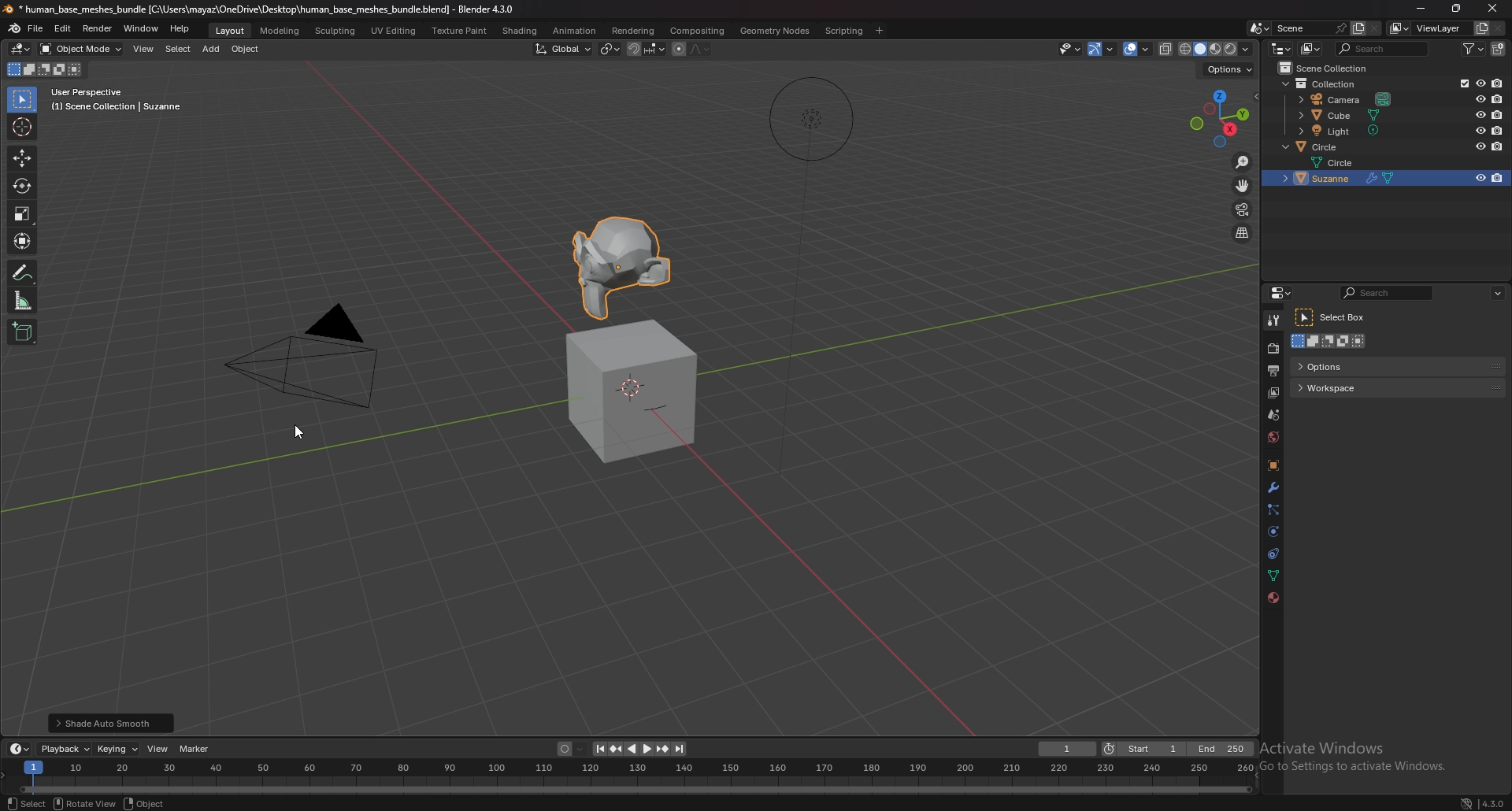 The height and width of the screenshot is (811, 1512). I want to click on playback, so click(64, 750).